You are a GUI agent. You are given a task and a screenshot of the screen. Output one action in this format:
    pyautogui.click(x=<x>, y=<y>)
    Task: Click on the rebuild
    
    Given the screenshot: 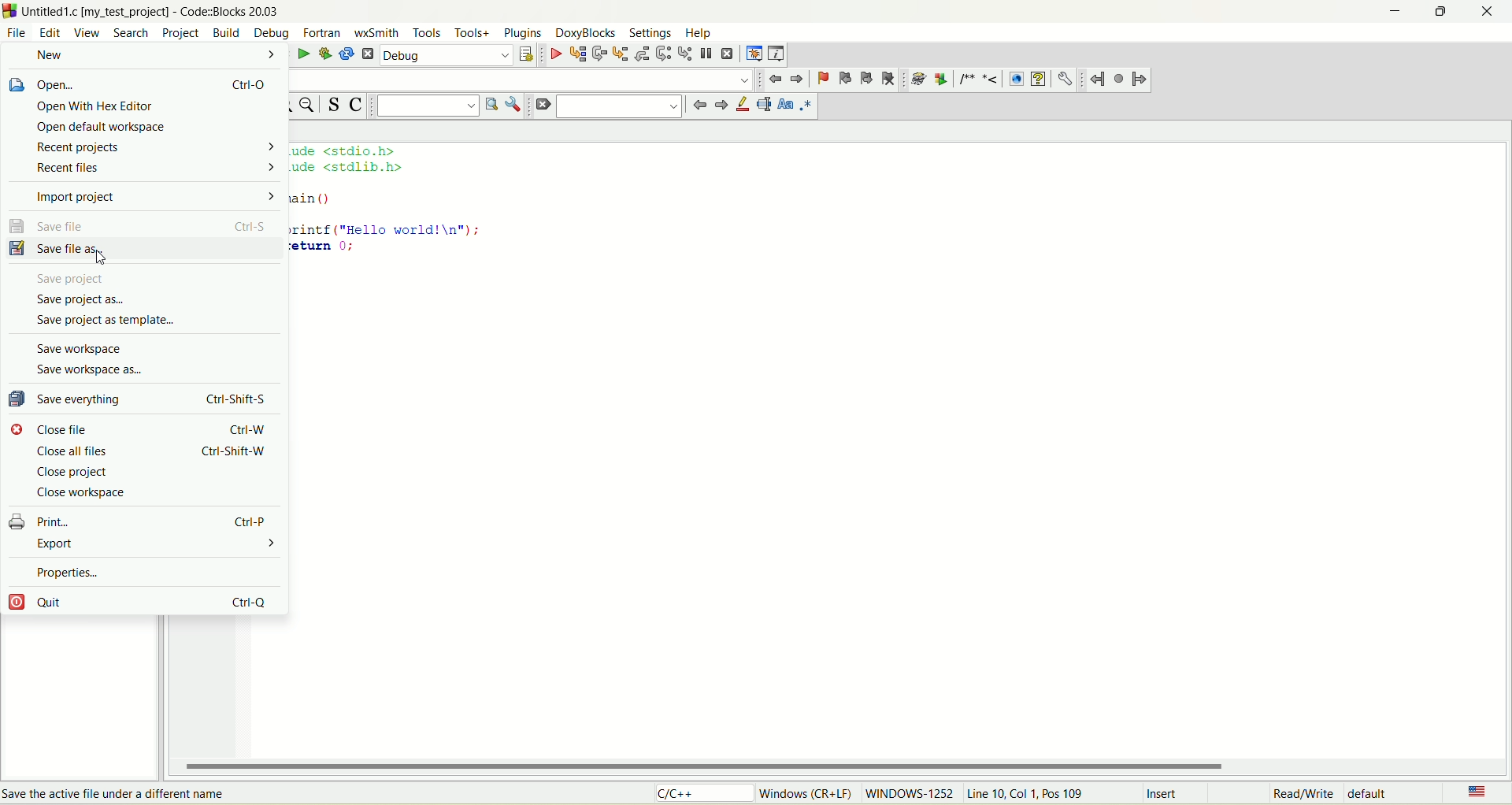 What is the action you would take?
    pyautogui.click(x=346, y=55)
    